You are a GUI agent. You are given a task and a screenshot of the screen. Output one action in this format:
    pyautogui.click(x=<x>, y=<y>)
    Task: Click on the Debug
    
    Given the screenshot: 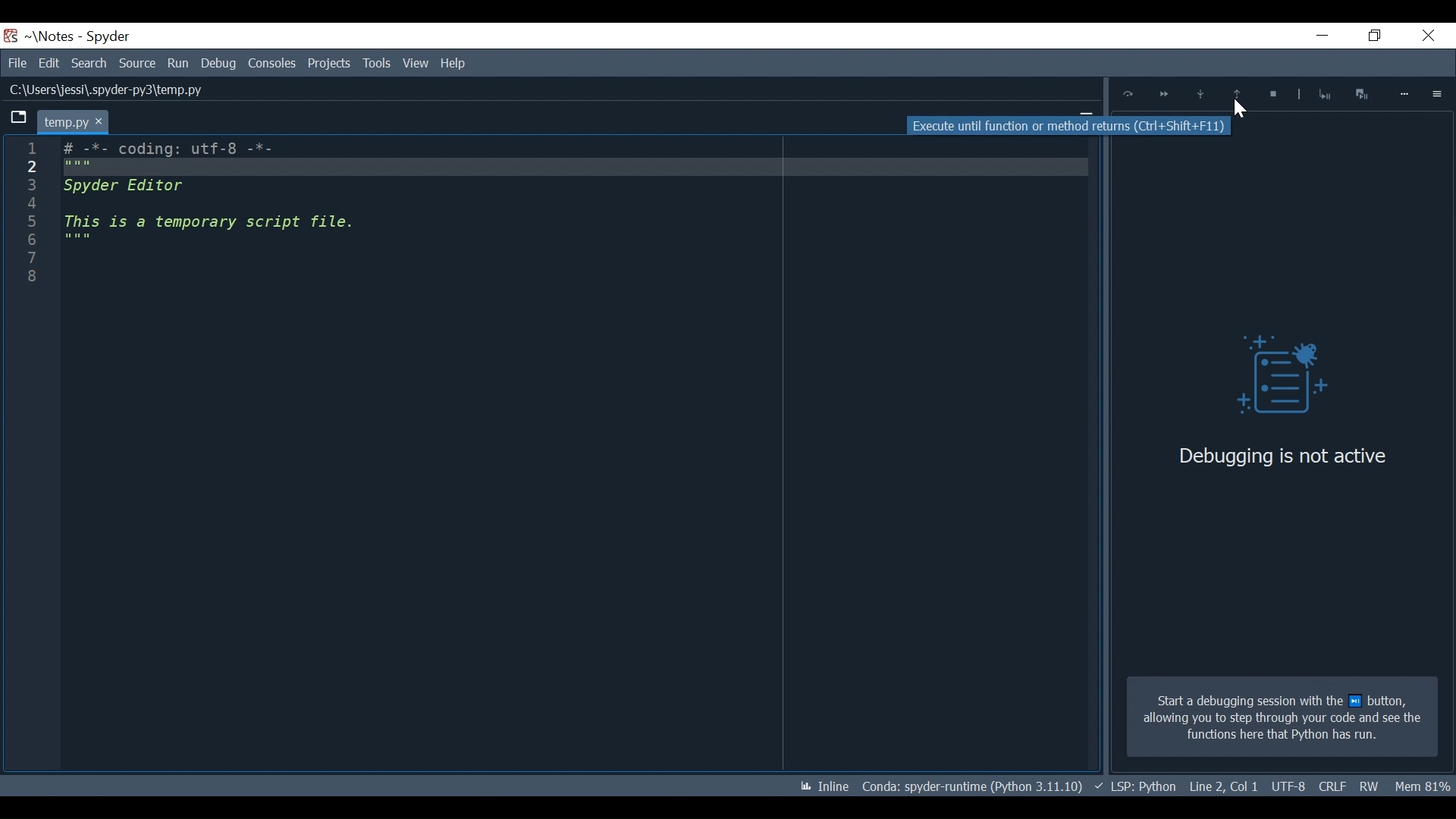 What is the action you would take?
    pyautogui.click(x=218, y=63)
    